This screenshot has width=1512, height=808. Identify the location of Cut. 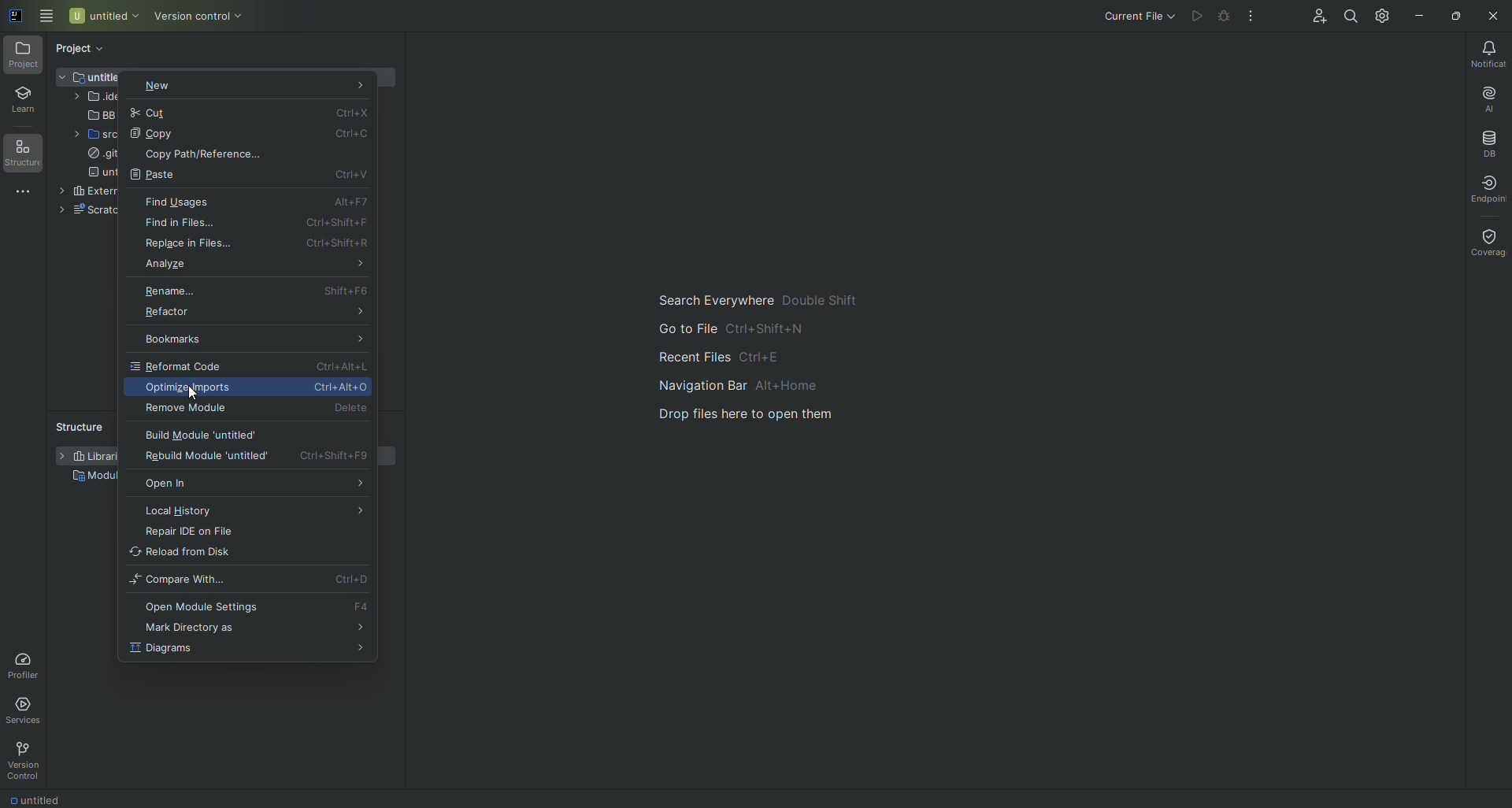
(253, 110).